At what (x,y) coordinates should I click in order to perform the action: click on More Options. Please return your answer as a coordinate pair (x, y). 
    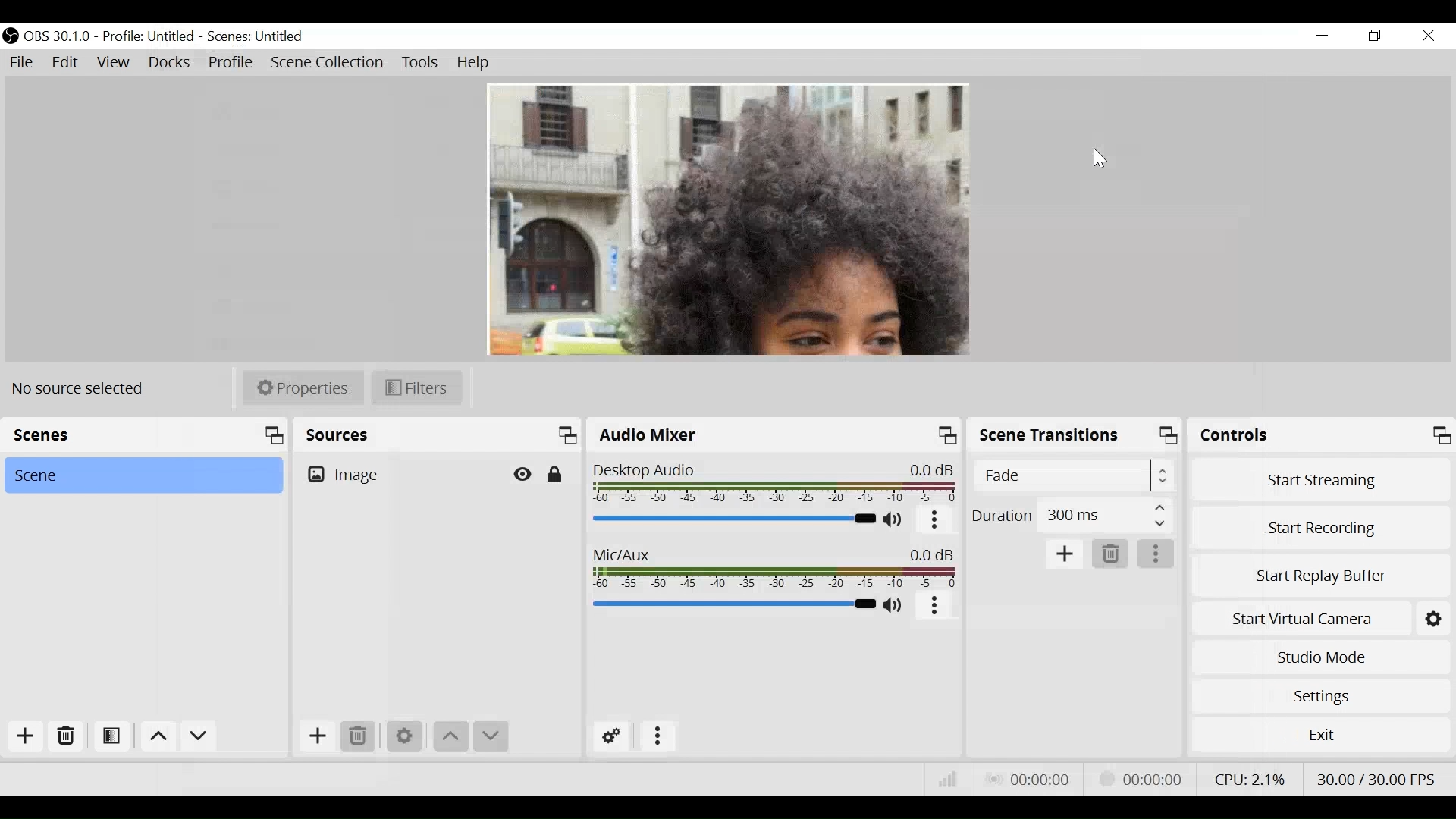
    Looking at the image, I should click on (1156, 554).